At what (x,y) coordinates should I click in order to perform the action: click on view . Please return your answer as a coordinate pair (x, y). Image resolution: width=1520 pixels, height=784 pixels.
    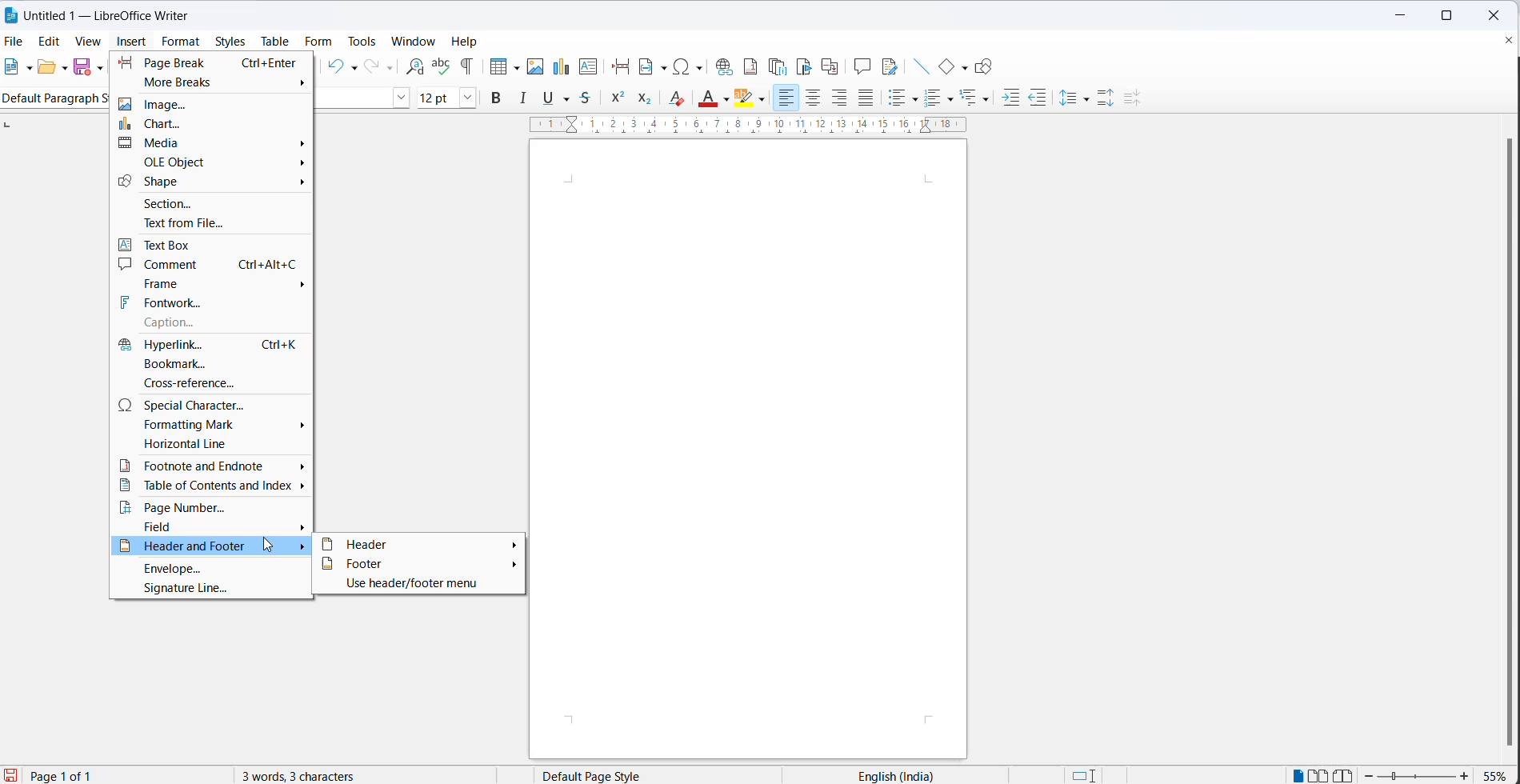
    Looking at the image, I should click on (90, 42).